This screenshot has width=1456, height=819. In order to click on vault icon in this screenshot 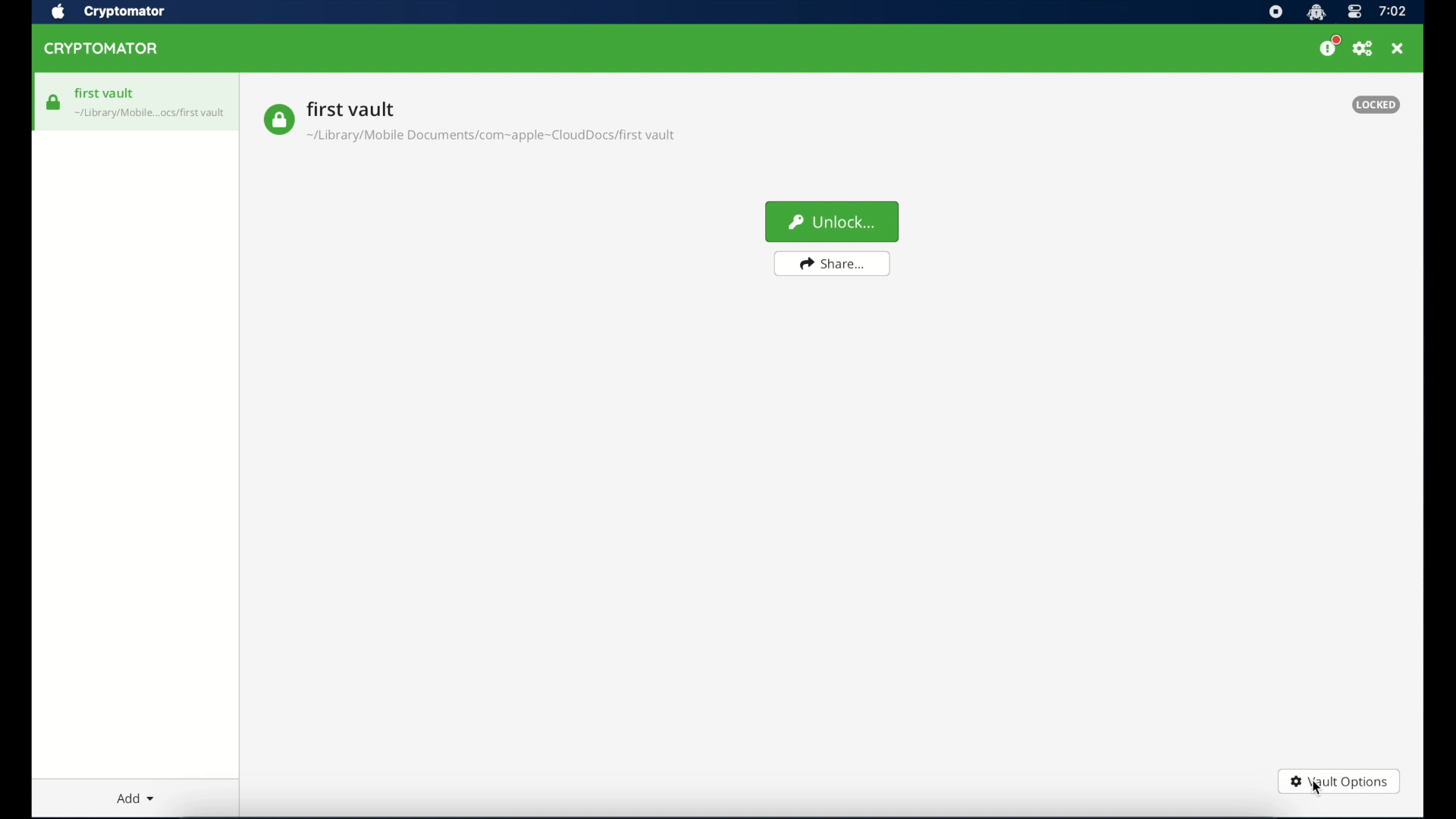, I will do `click(151, 115)`.